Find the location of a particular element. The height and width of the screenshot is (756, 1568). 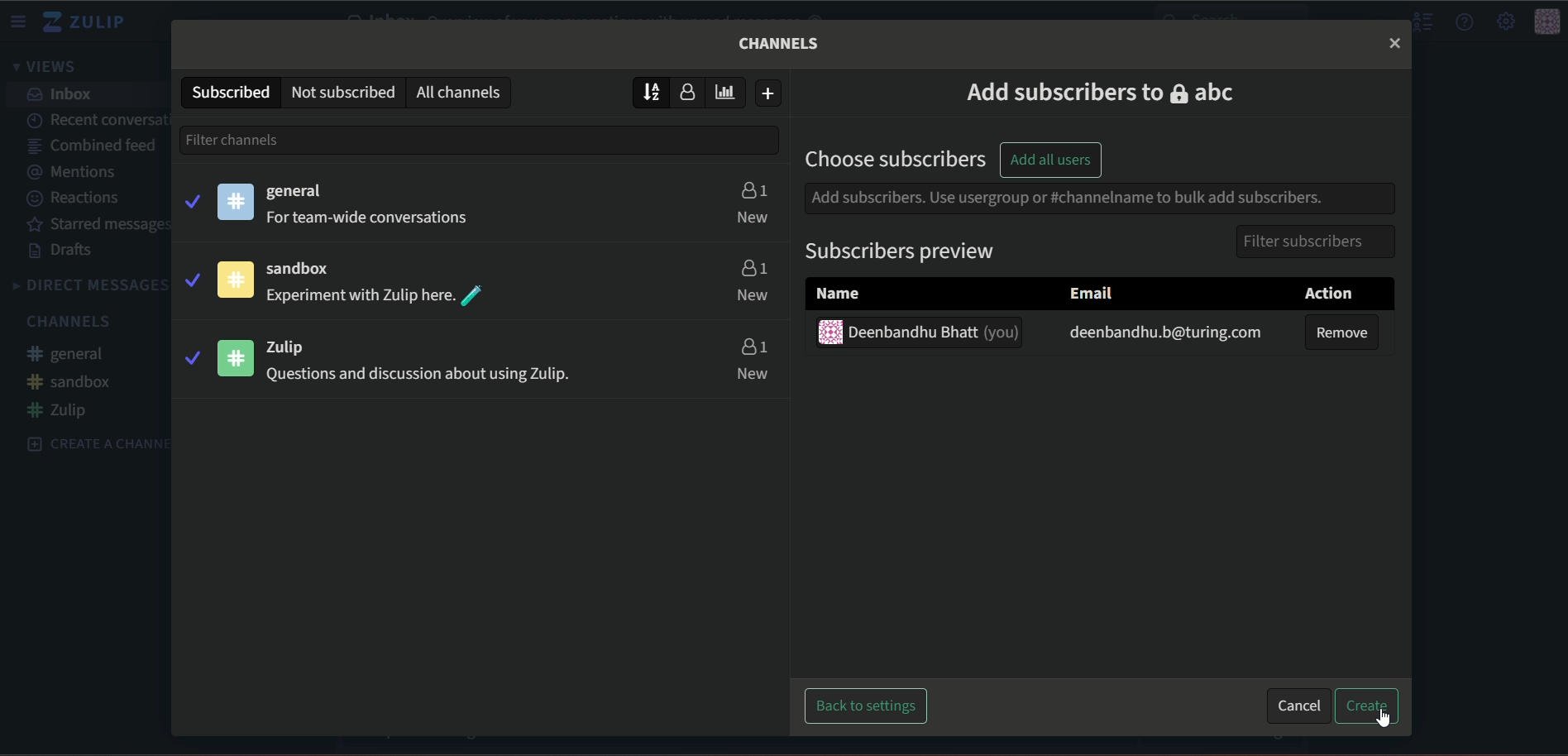

icon is located at coordinates (1547, 22).